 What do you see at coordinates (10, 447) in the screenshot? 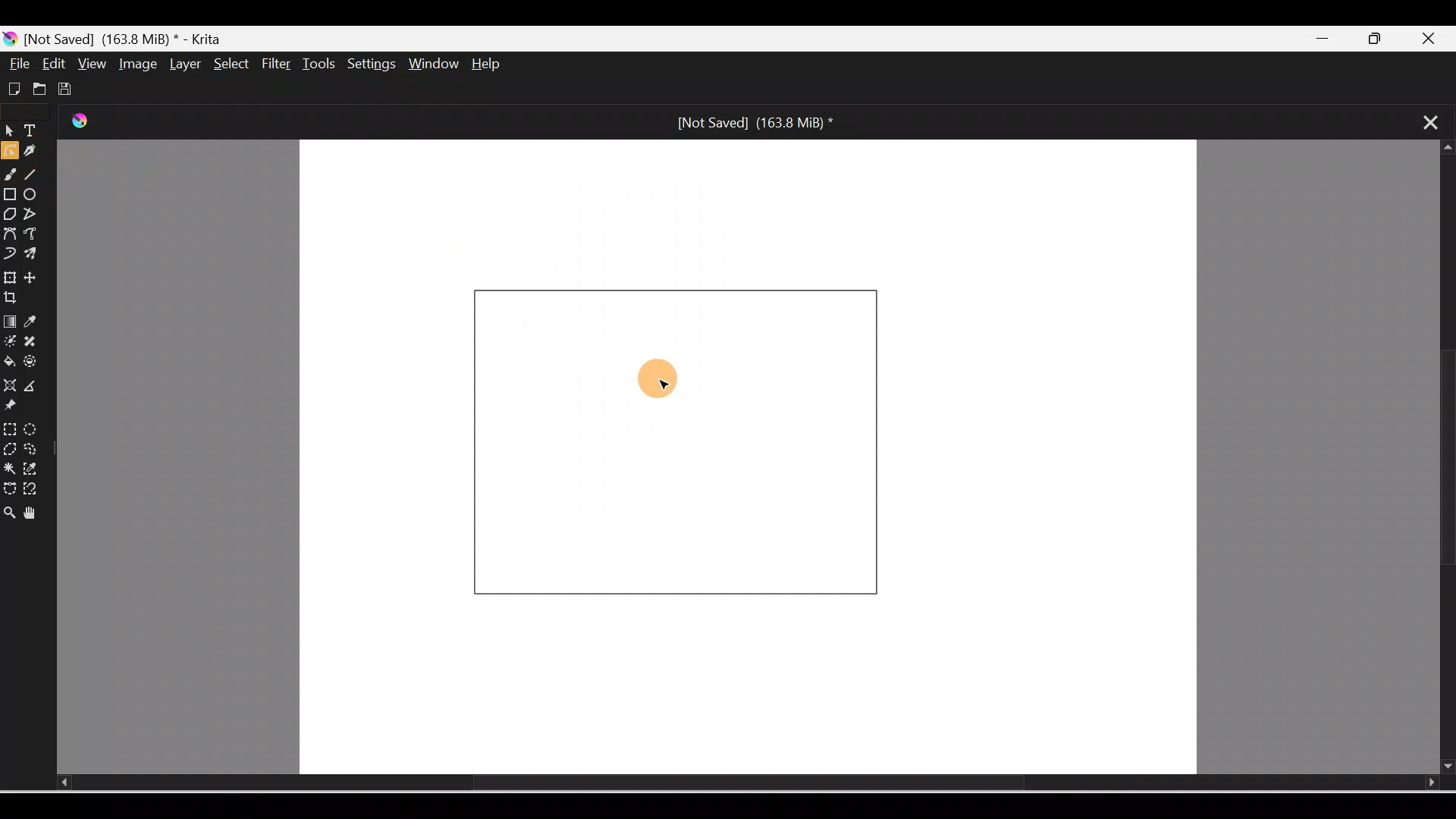
I see `Polygonal selection tool` at bounding box center [10, 447].